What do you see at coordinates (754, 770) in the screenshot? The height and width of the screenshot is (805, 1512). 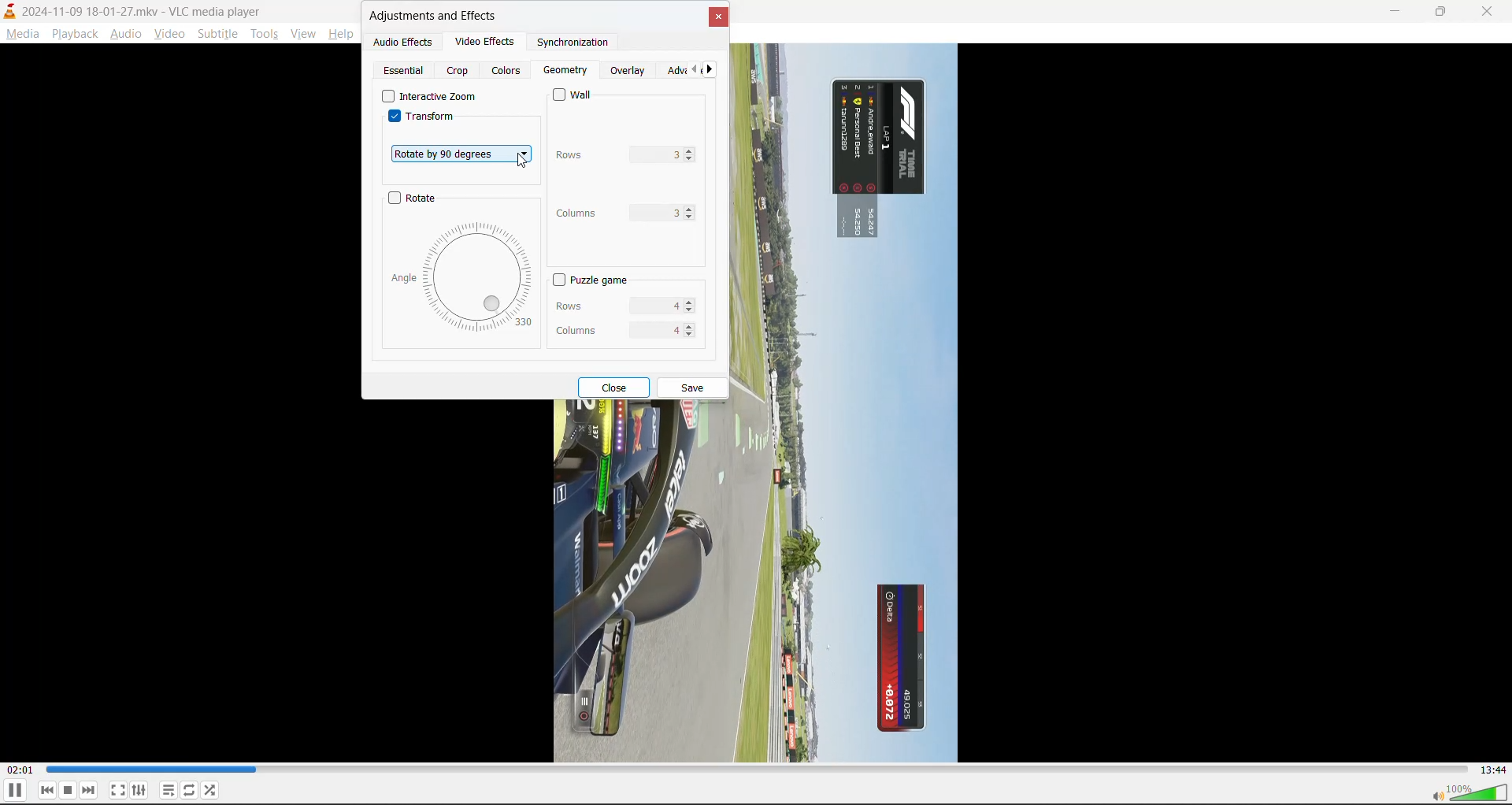 I see `track slider` at bounding box center [754, 770].